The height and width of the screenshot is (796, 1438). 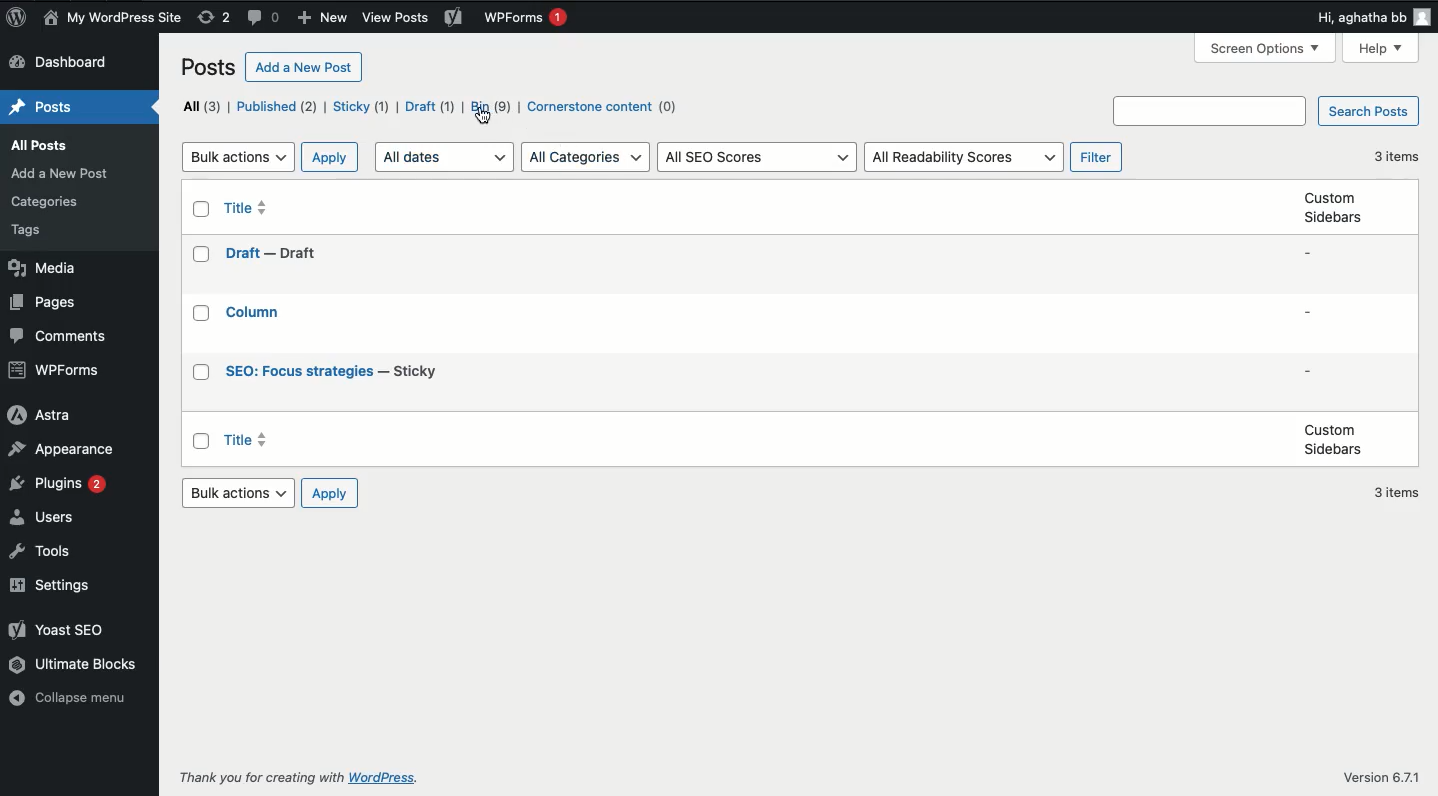 What do you see at coordinates (304, 68) in the screenshot?
I see `Add a new post` at bounding box center [304, 68].